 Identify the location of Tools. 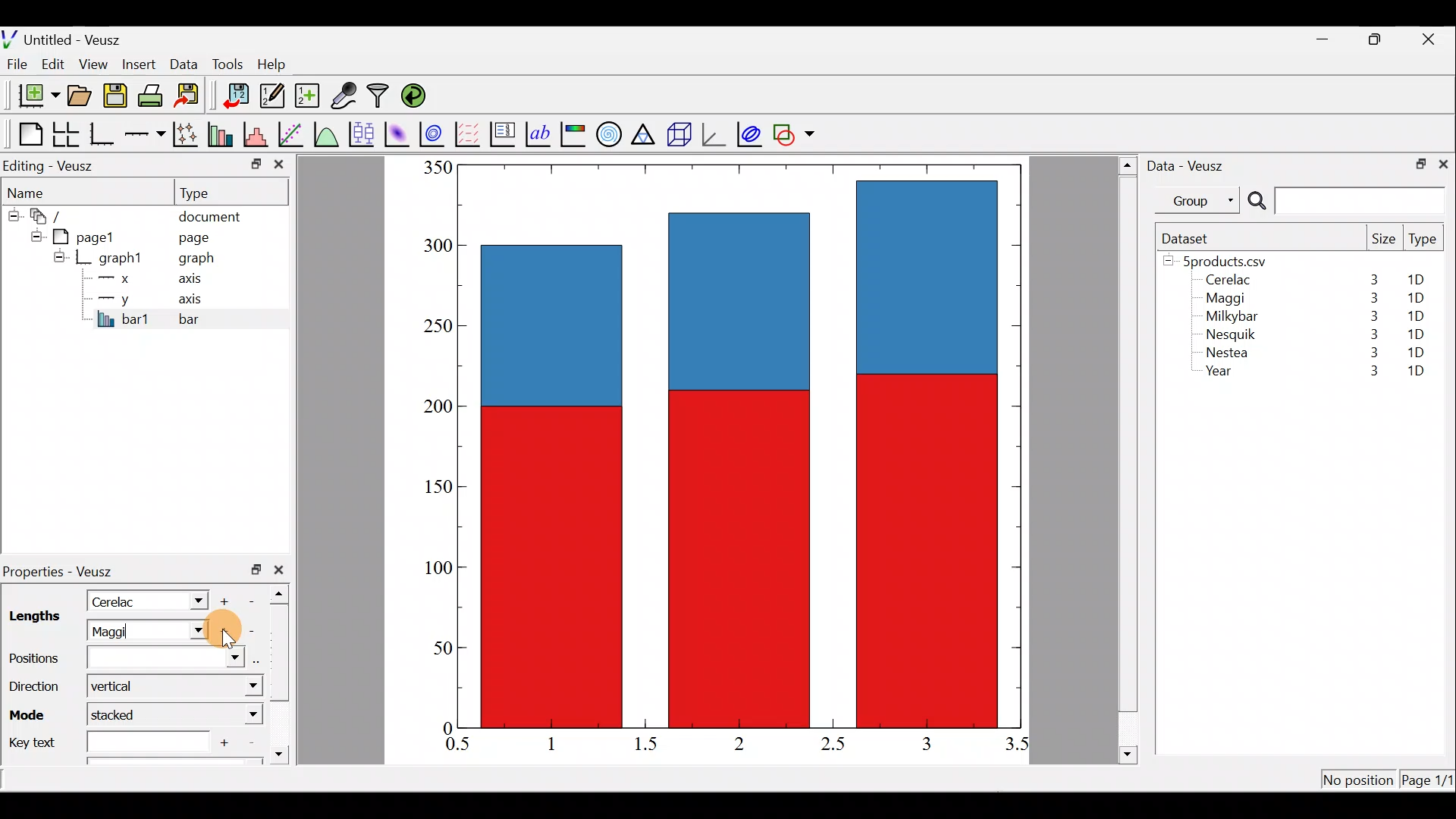
(227, 63).